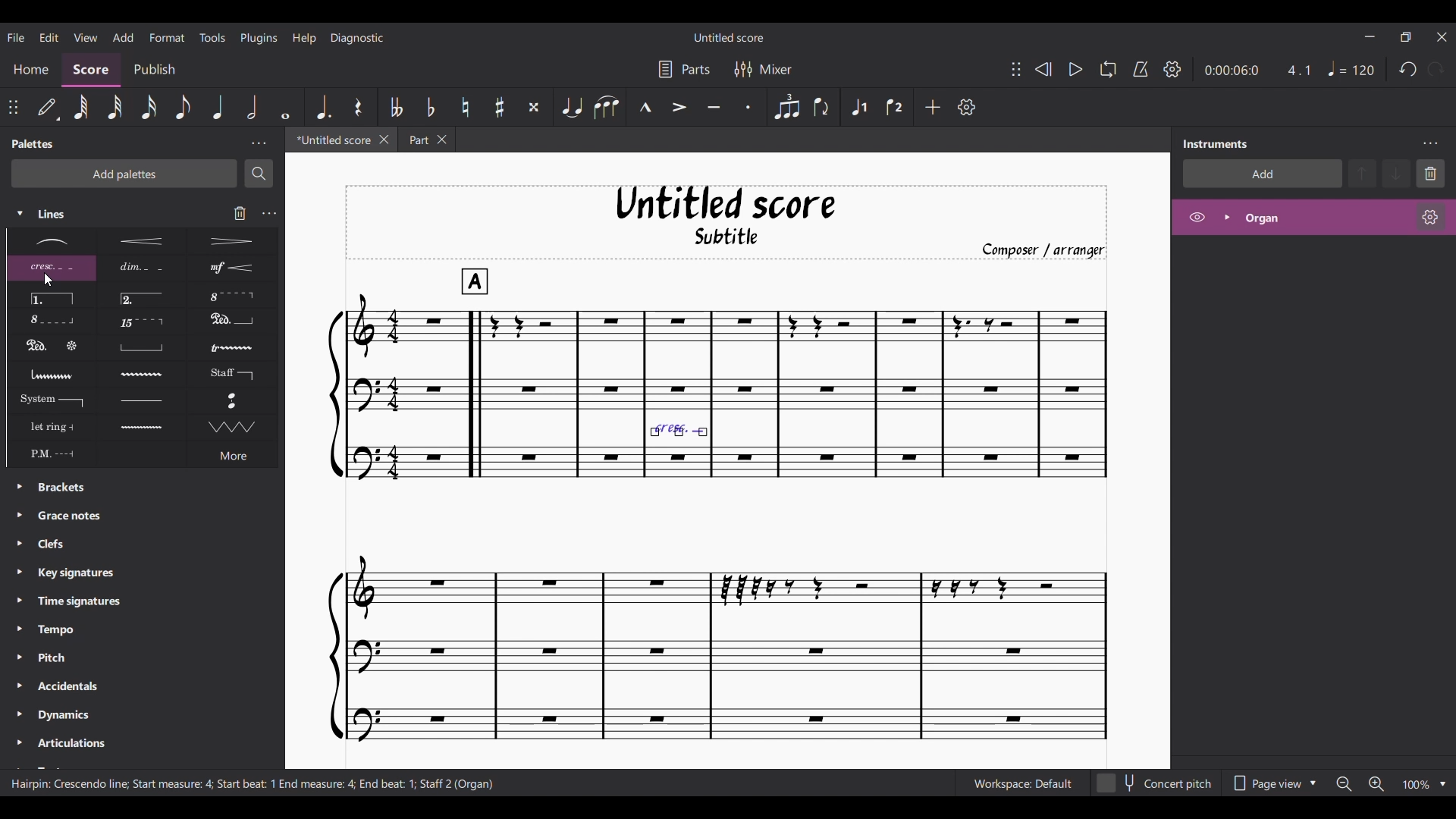  I want to click on Flip direction, so click(822, 108).